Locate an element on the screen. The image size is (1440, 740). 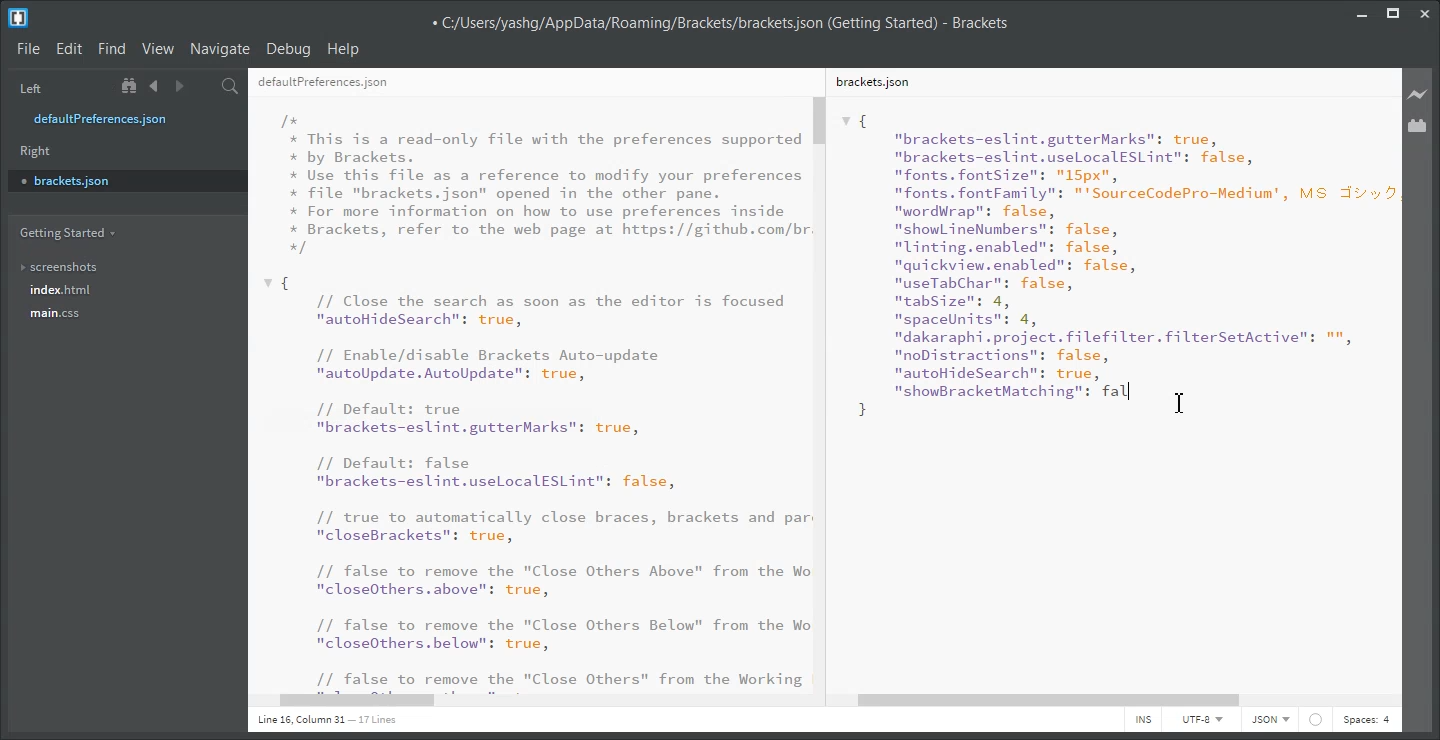
defaultPreferences.json is located at coordinates (323, 83).